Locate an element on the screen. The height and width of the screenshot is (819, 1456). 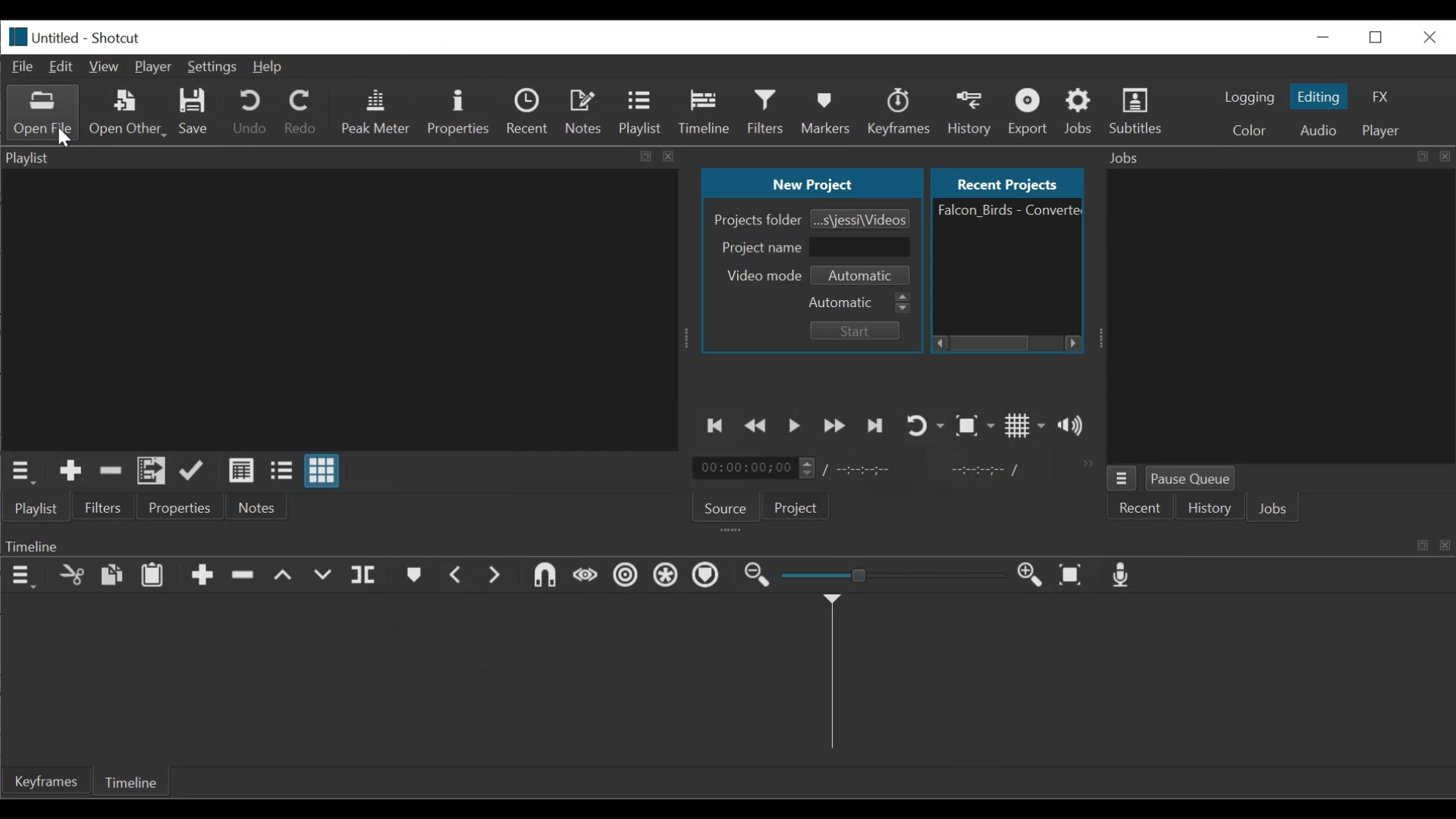
Scroll left is located at coordinates (937, 345).